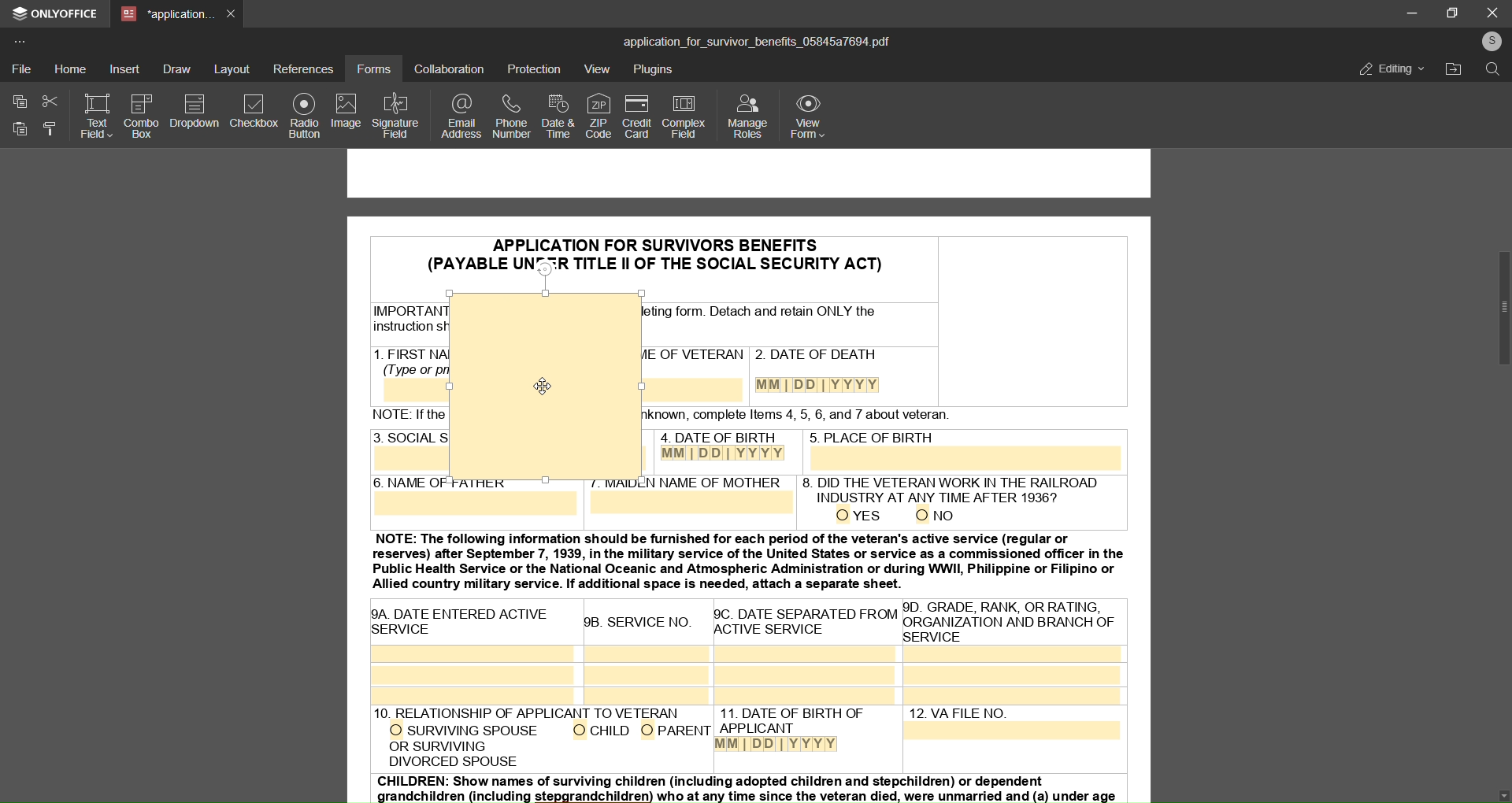 This screenshot has height=803, width=1512. Describe the element at coordinates (682, 118) in the screenshot. I see `complex field` at that location.